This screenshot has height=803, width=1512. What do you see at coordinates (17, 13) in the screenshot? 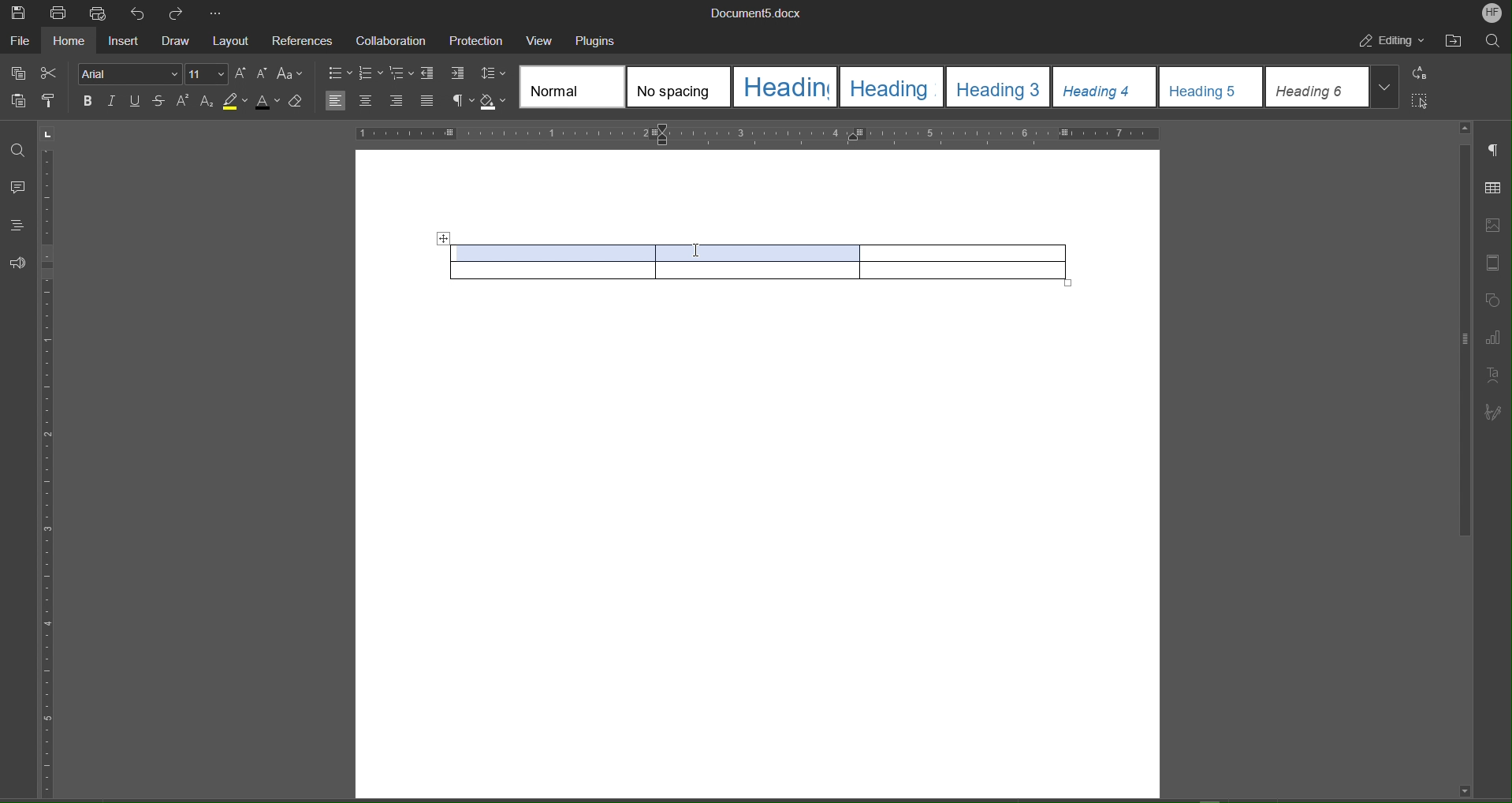
I see `Save` at bounding box center [17, 13].